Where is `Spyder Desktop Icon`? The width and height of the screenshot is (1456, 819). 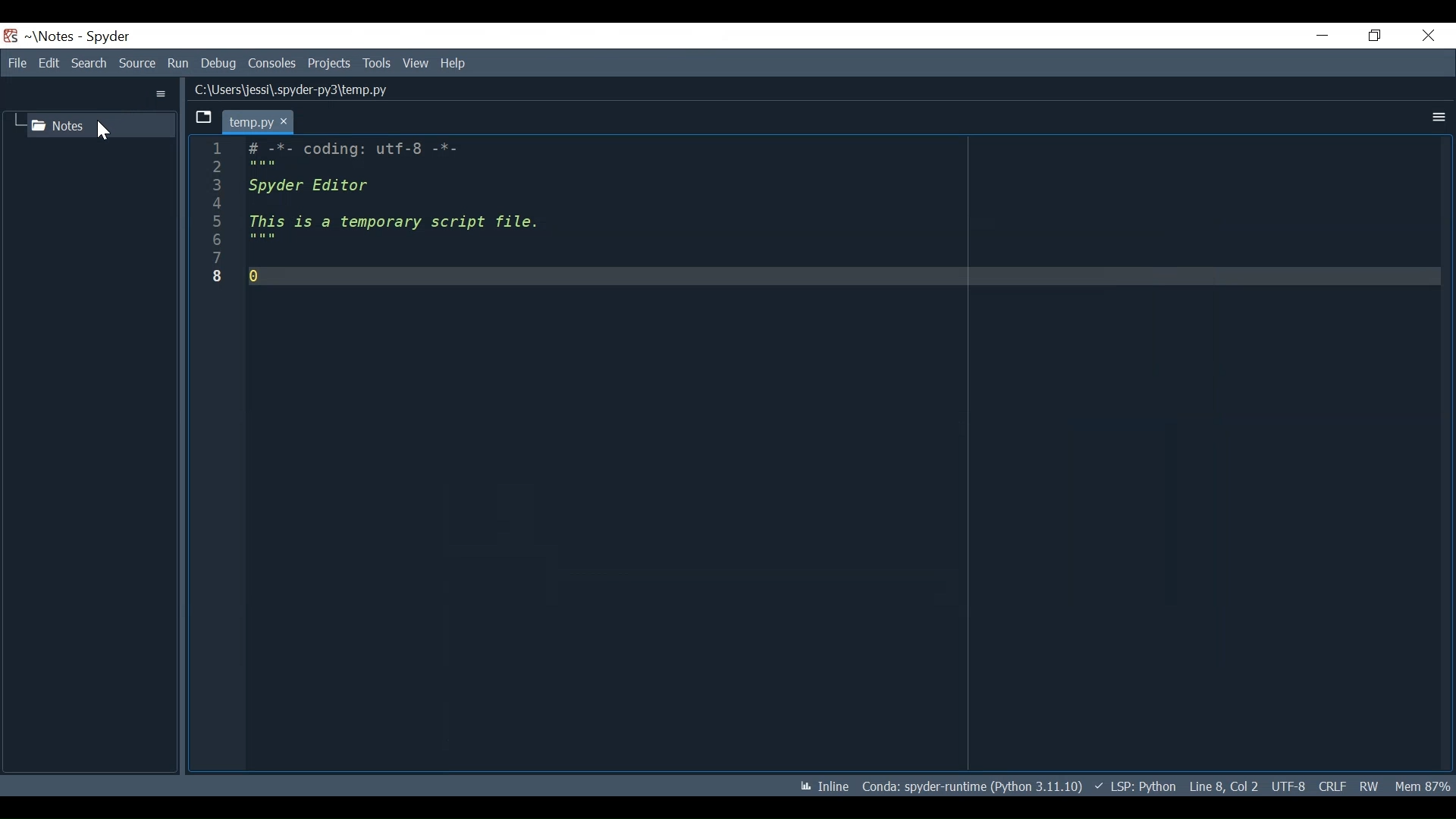 Spyder Desktop Icon is located at coordinates (11, 34).